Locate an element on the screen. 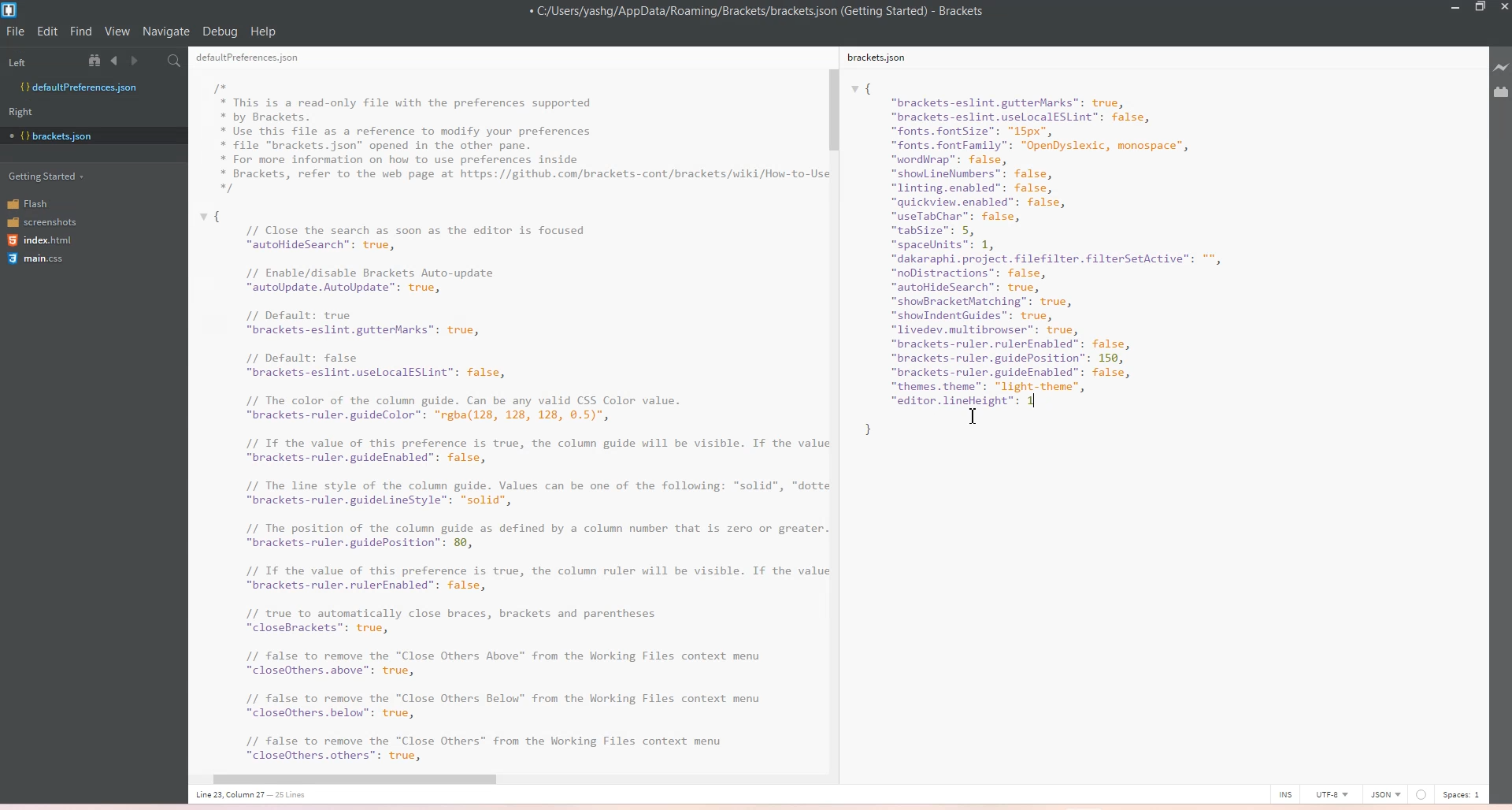  Find is located at coordinates (82, 32).